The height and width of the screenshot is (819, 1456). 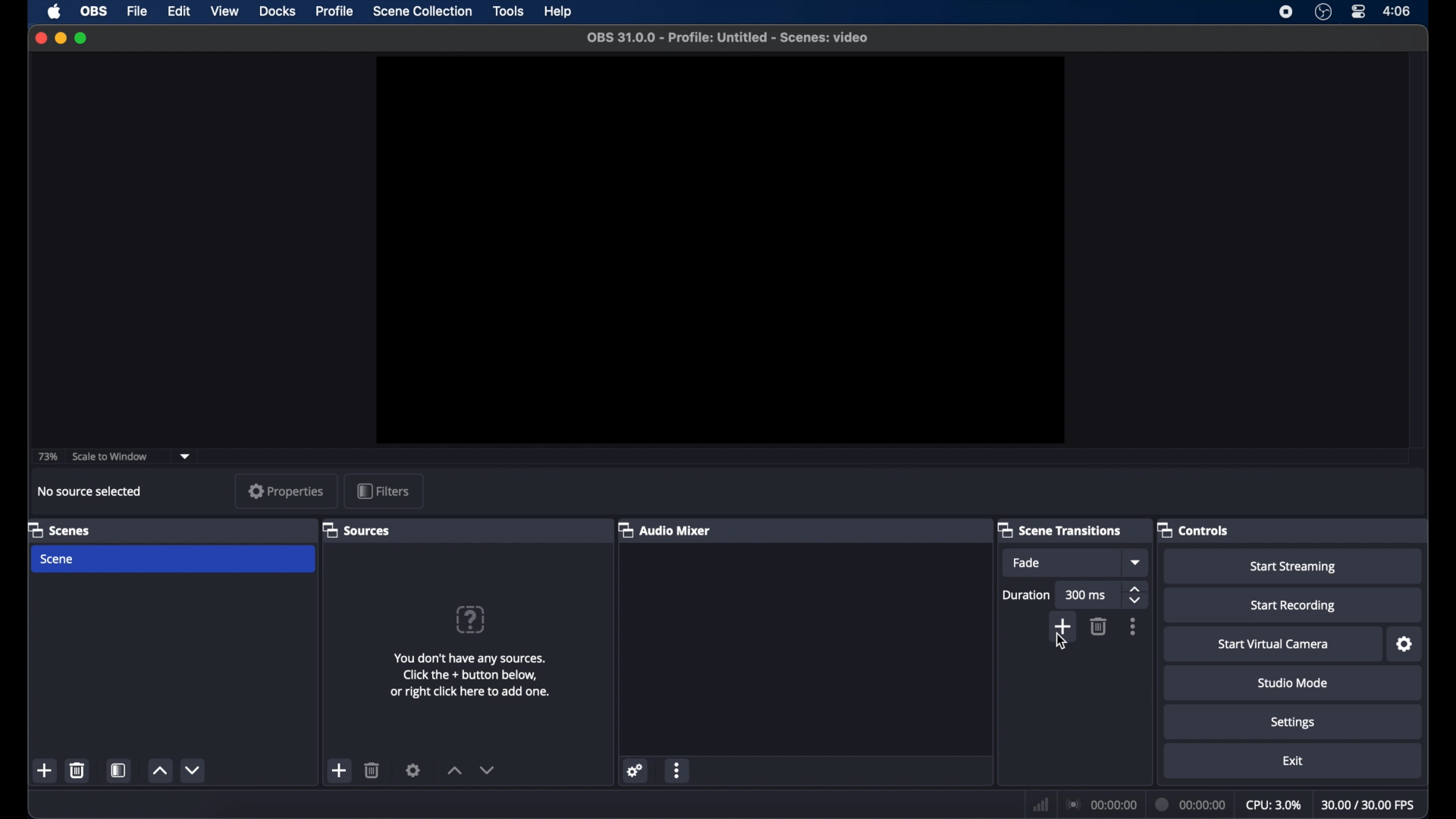 What do you see at coordinates (678, 770) in the screenshot?
I see `more options` at bounding box center [678, 770].